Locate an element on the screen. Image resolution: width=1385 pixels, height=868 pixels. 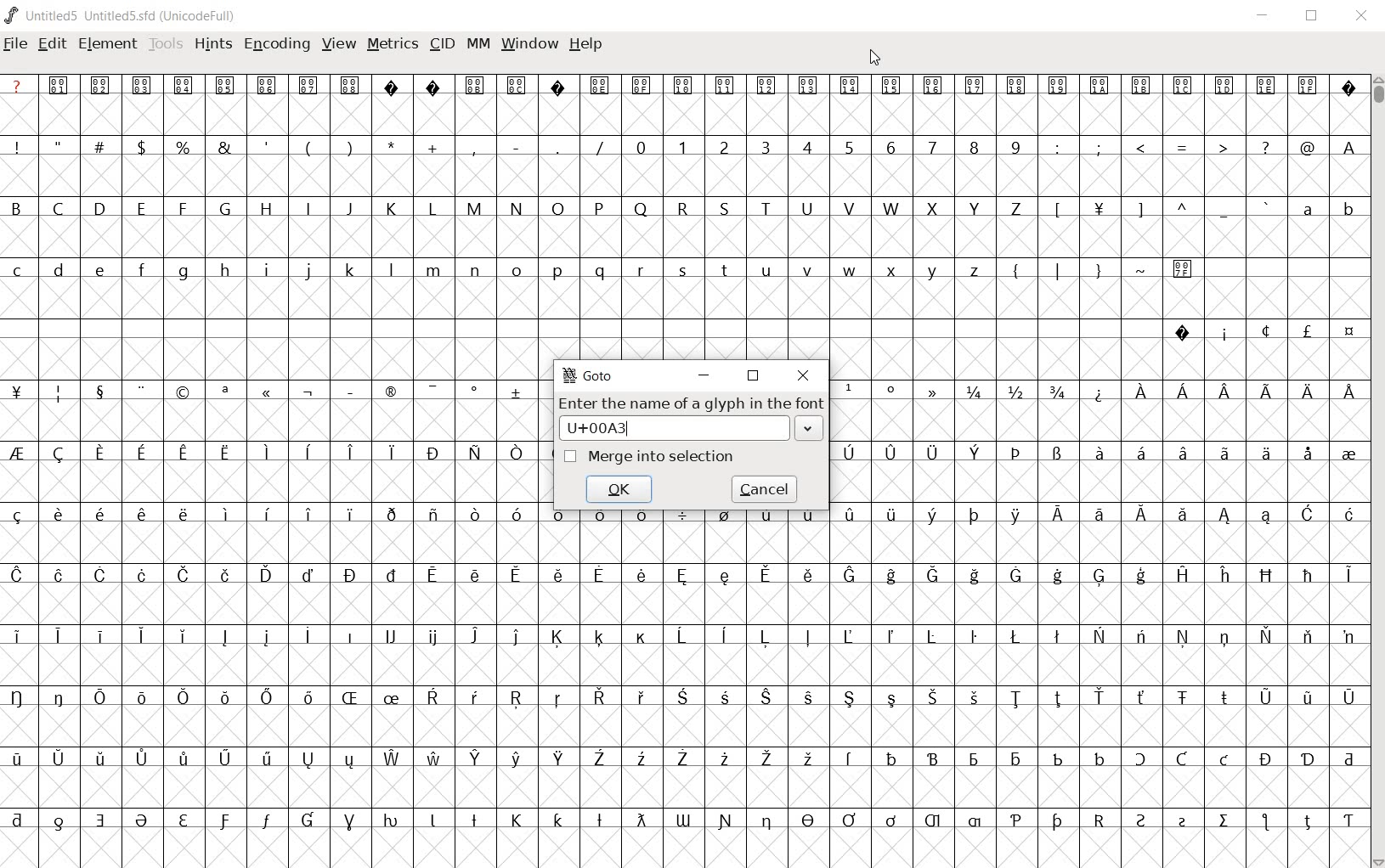
% is located at coordinates (184, 147).